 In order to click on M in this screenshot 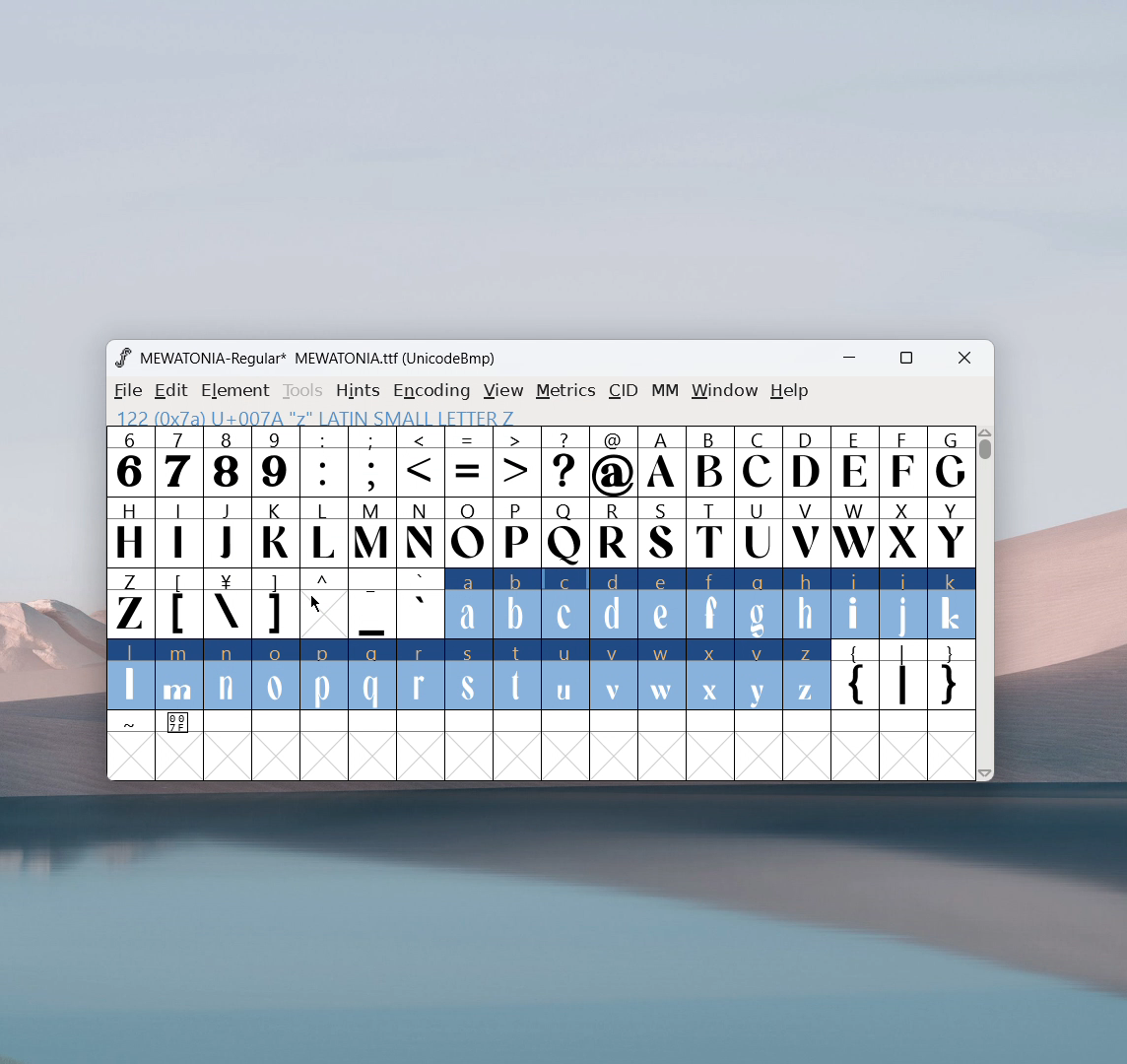, I will do `click(373, 531)`.